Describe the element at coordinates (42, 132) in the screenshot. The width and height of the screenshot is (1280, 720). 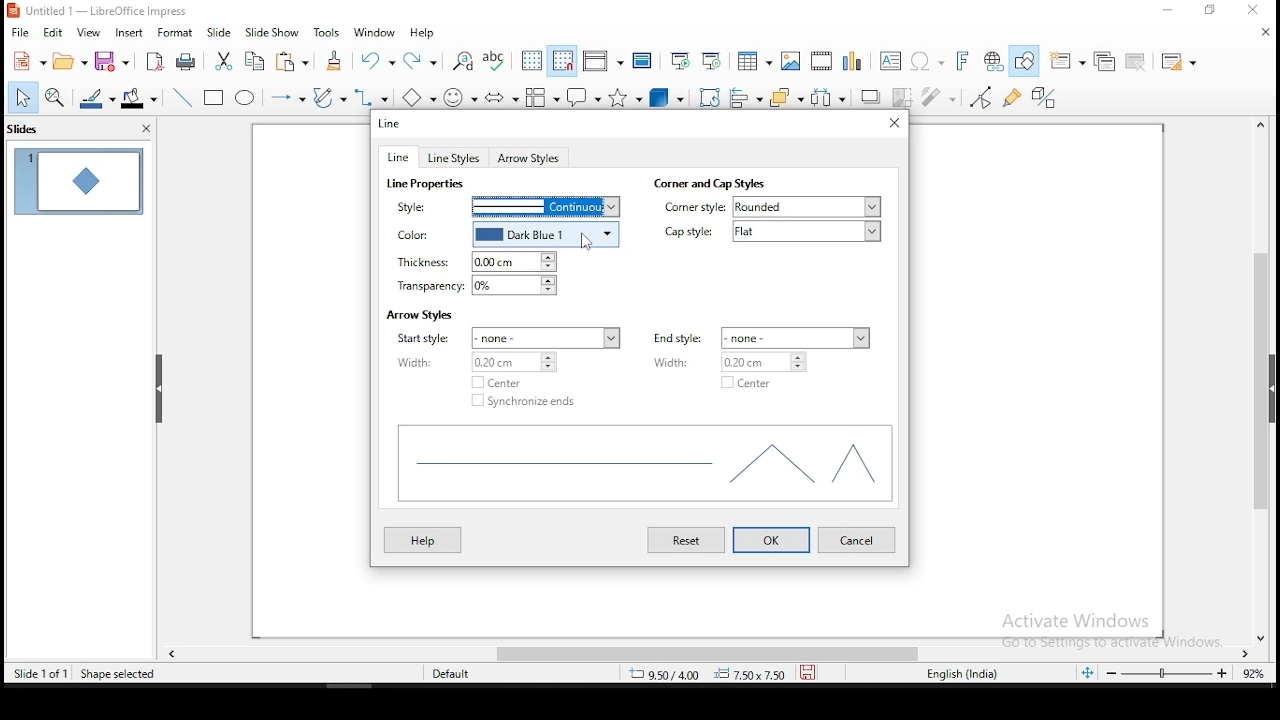
I see `slides` at that location.